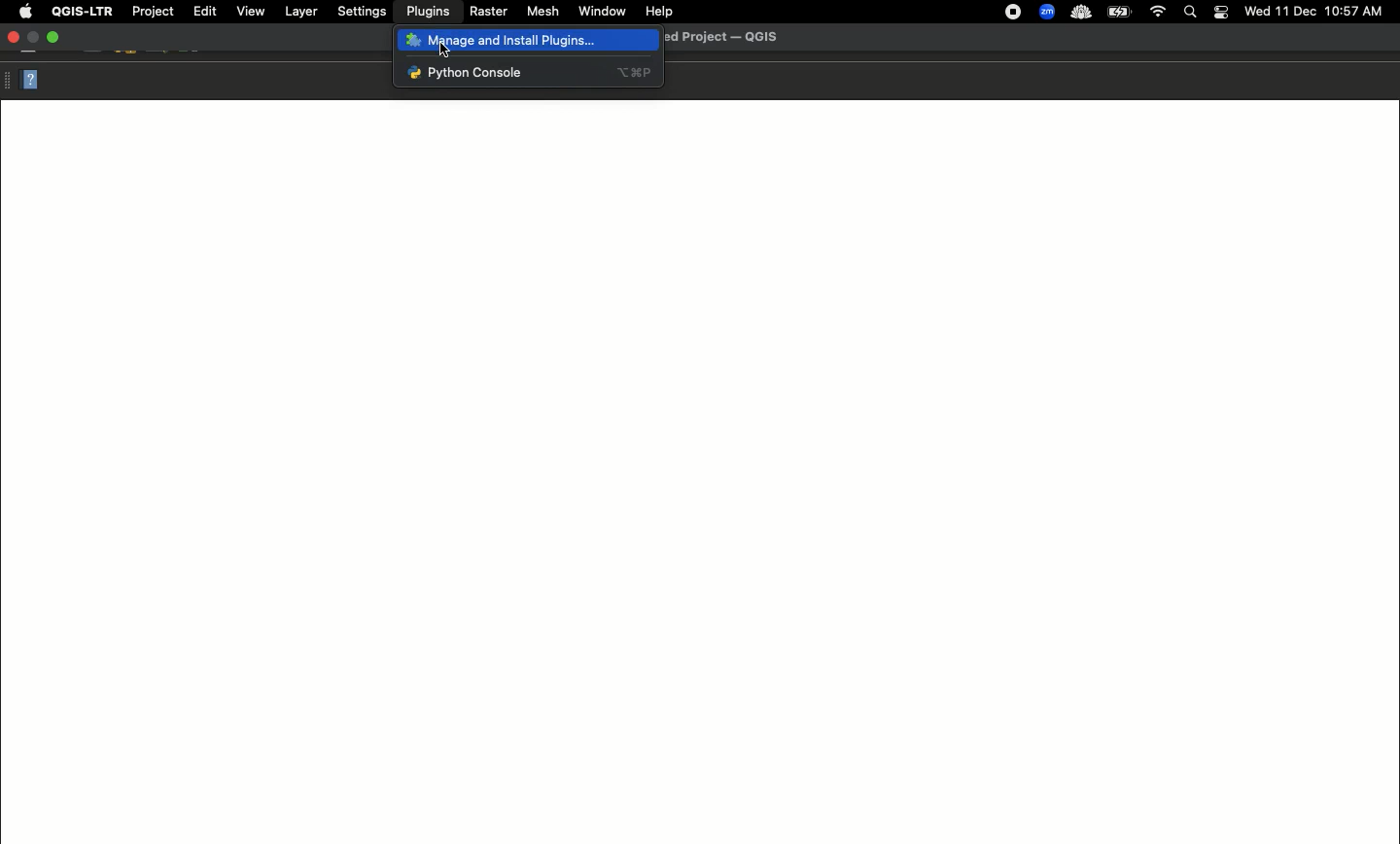  Describe the element at coordinates (203, 11) in the screenshot. I see `Edit` at that location.